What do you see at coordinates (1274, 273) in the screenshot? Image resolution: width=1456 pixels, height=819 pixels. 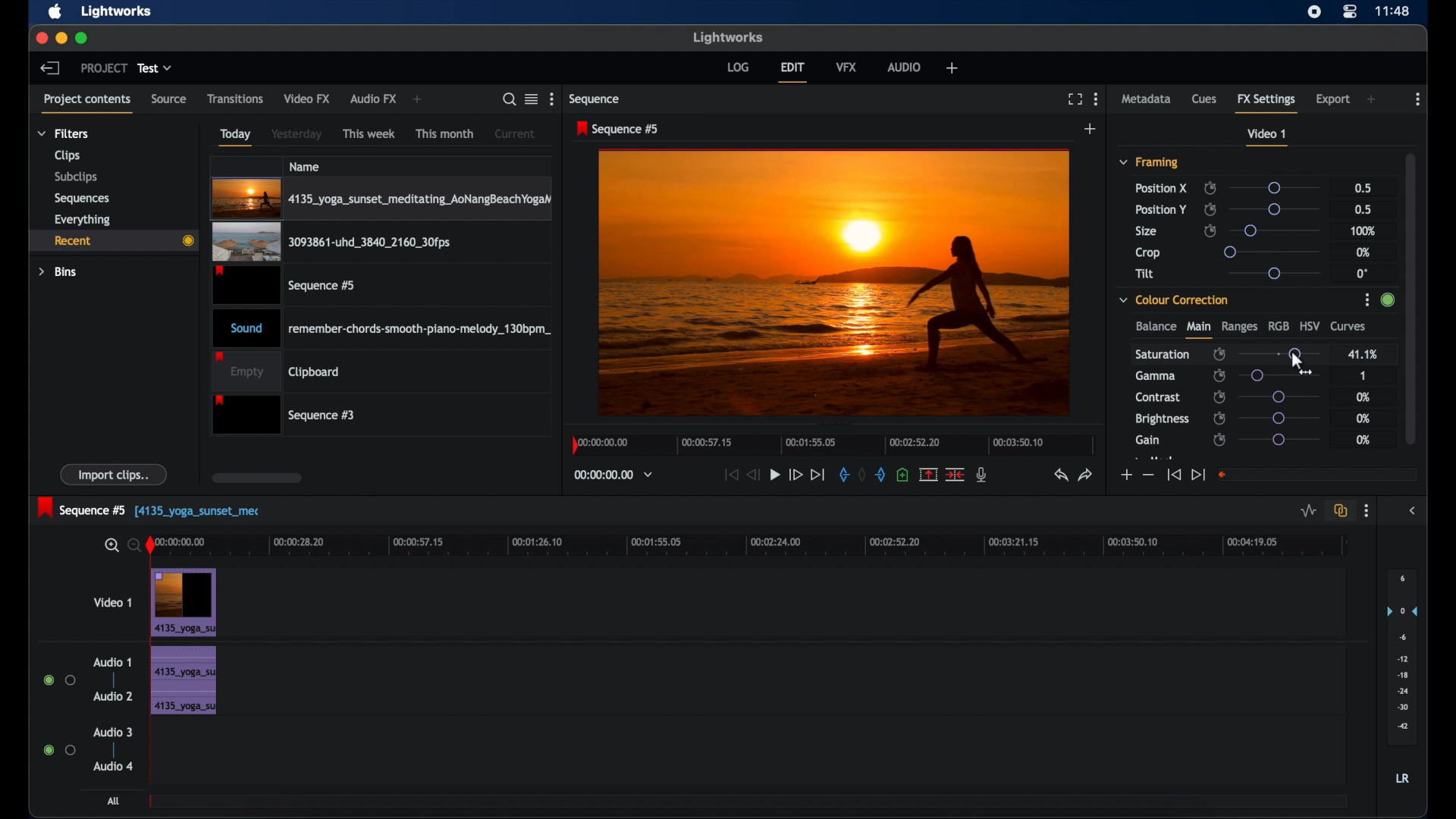 I see `slider` at bounding box center [1274, 273].